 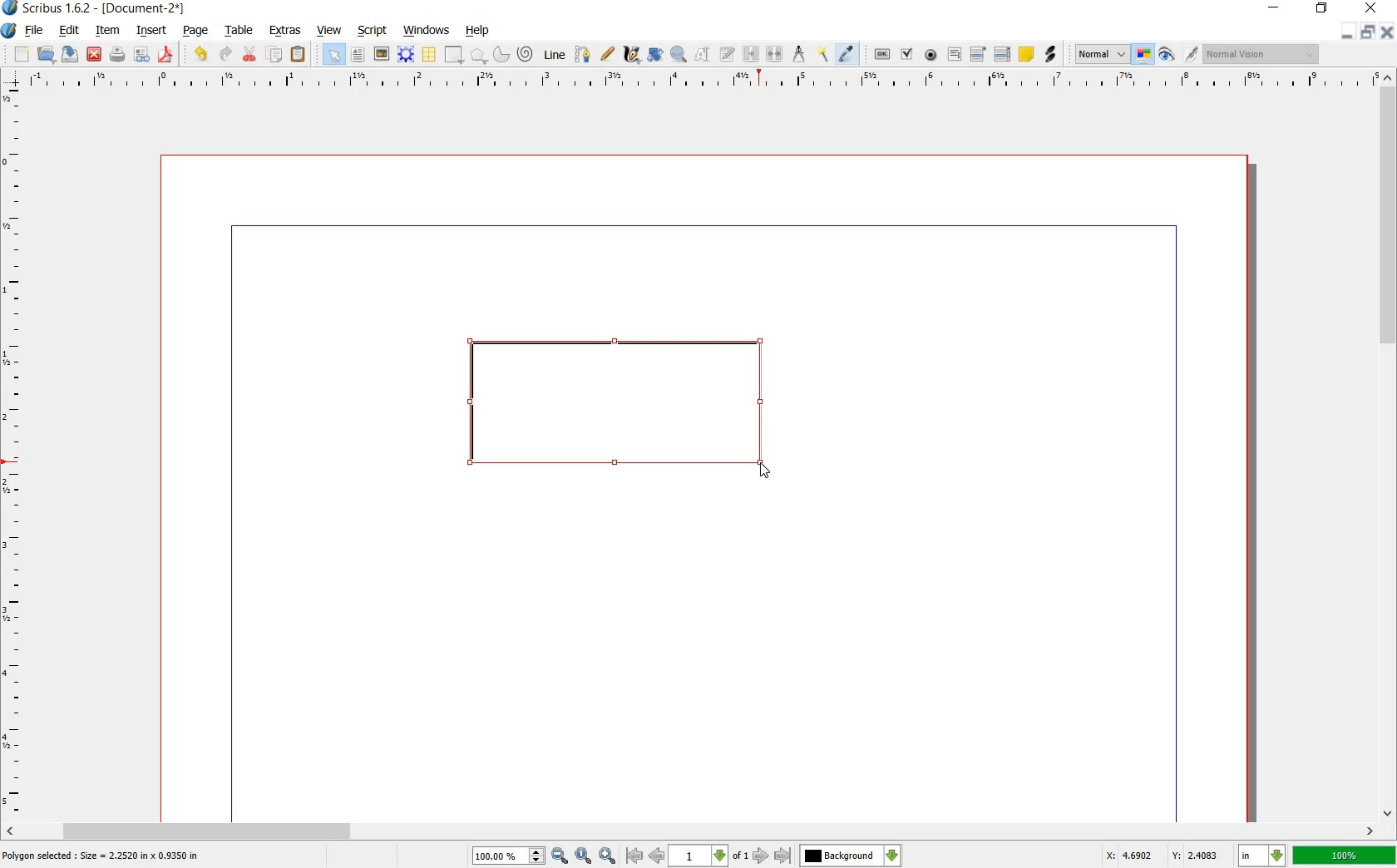 What do you see at coordinates (1389, 32) in the screenshot?
I see `CLOSE` at bounding box center [1389, 32].